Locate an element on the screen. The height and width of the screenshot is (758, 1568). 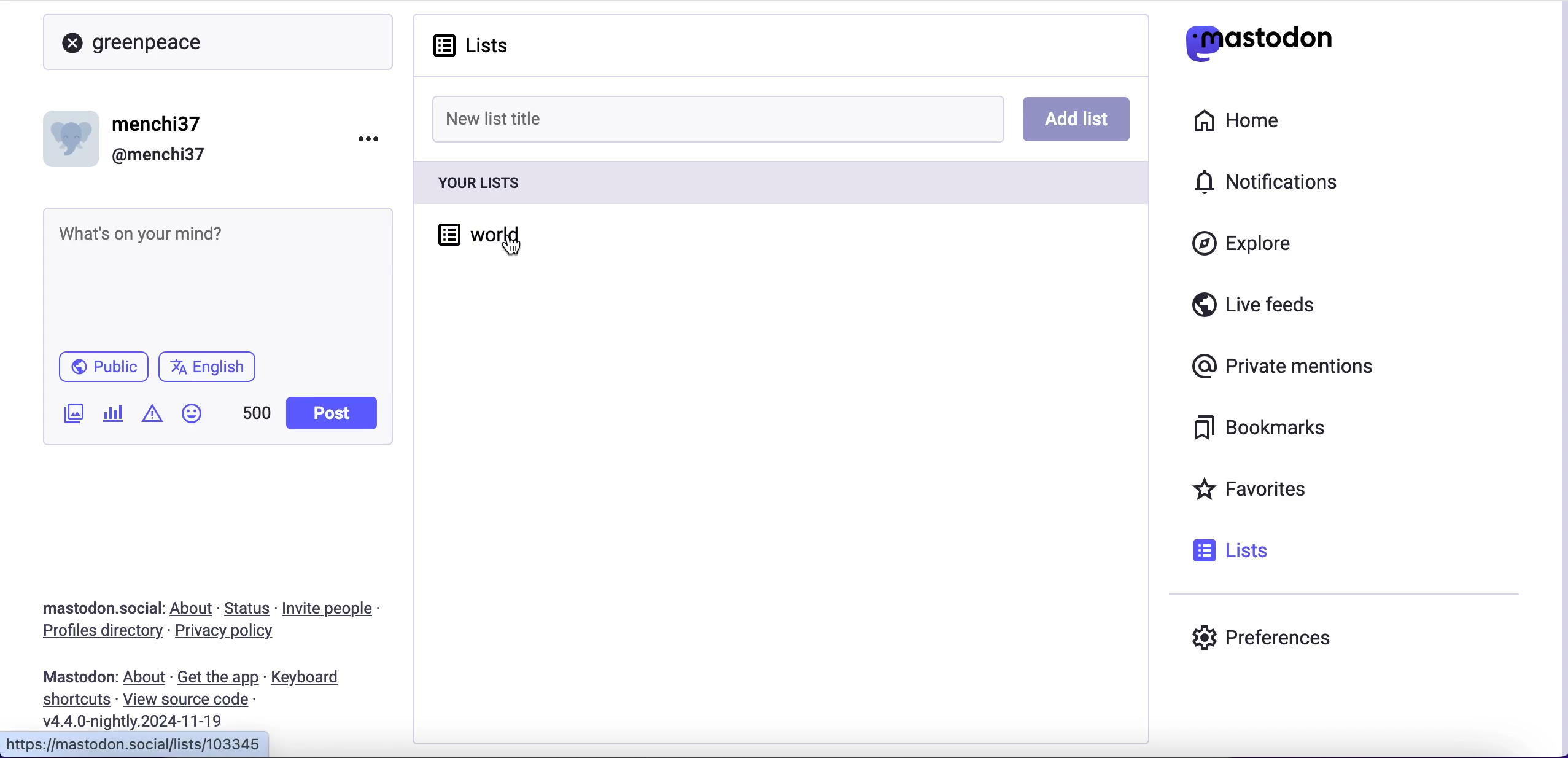
shortcuts is located at coordinates (72, 700).